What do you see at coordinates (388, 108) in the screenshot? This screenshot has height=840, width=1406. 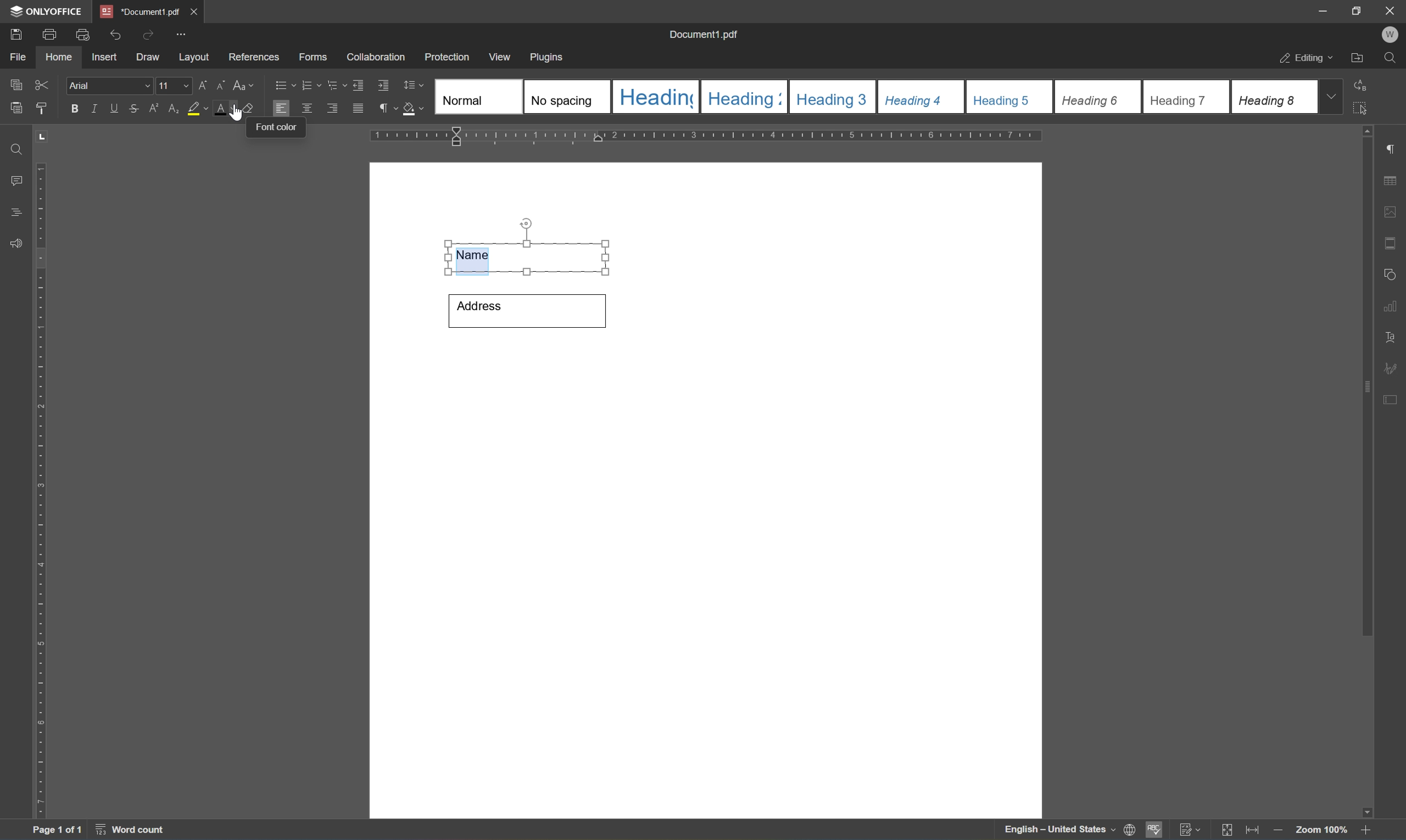 I see `nonprinting characters` at bounding box center [388, 108].